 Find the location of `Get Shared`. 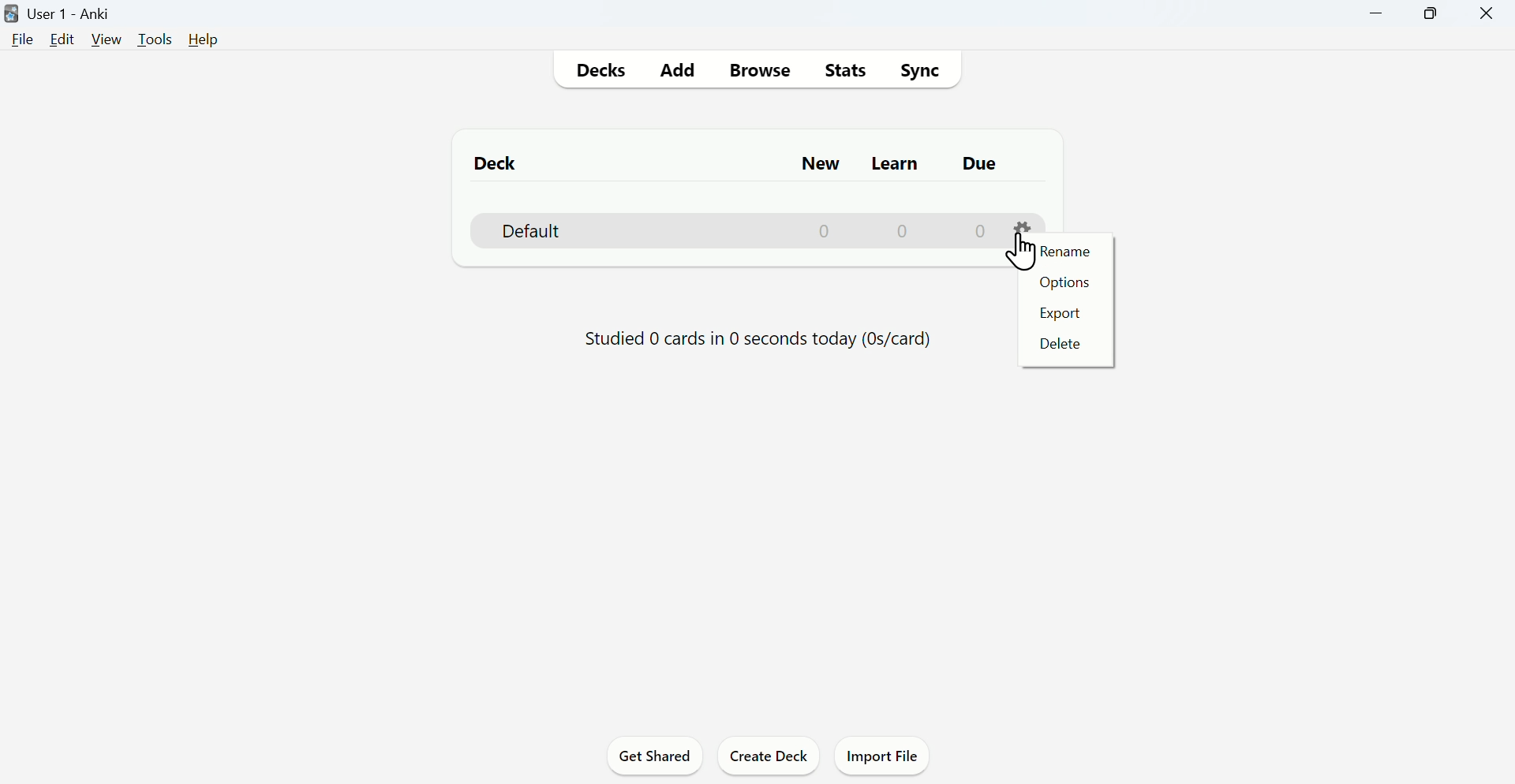

Get Shared is located at coordinates (656, 755).